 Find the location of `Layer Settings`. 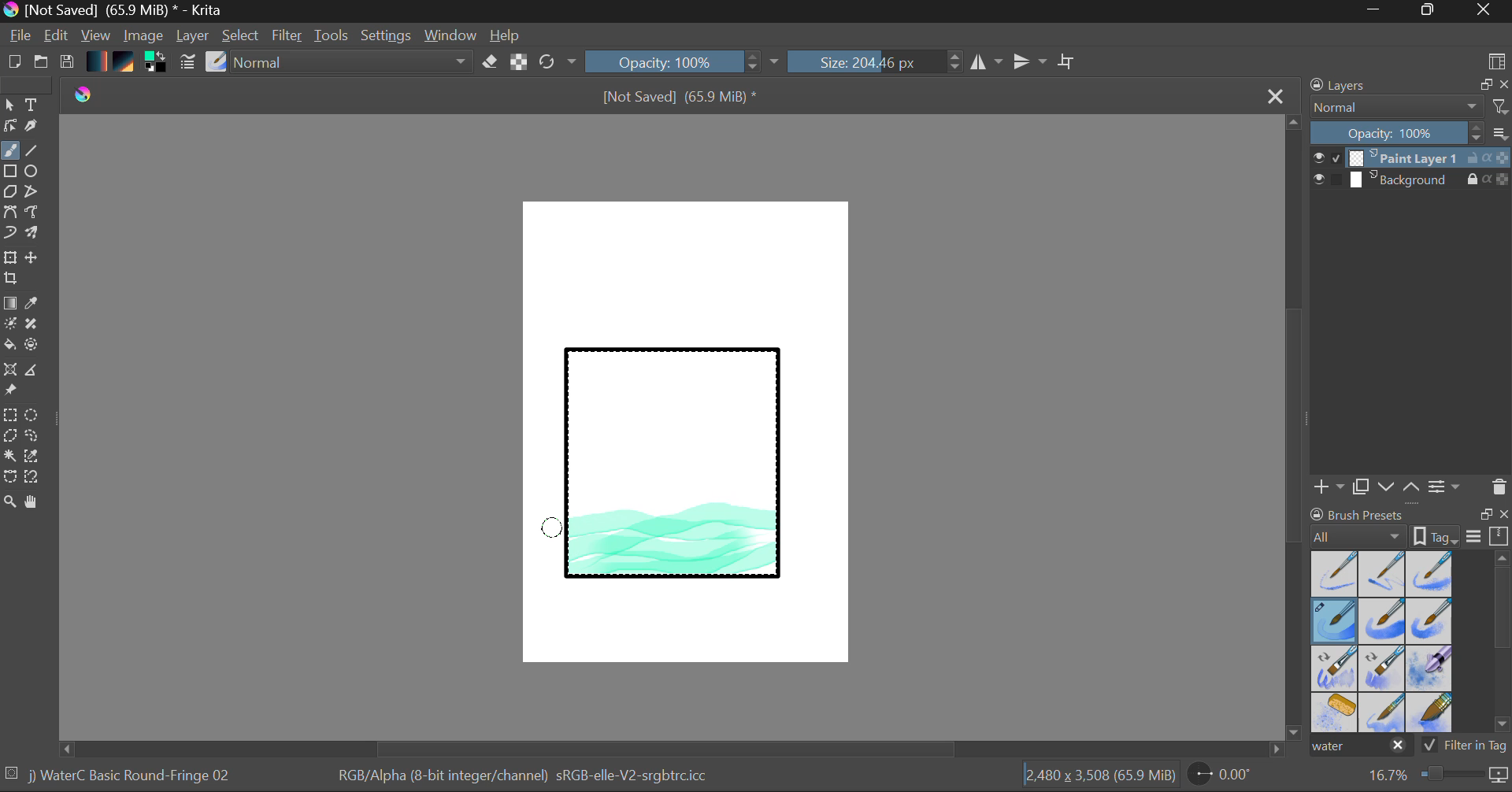

Layer Settings is located at coordinates (1445, 486).